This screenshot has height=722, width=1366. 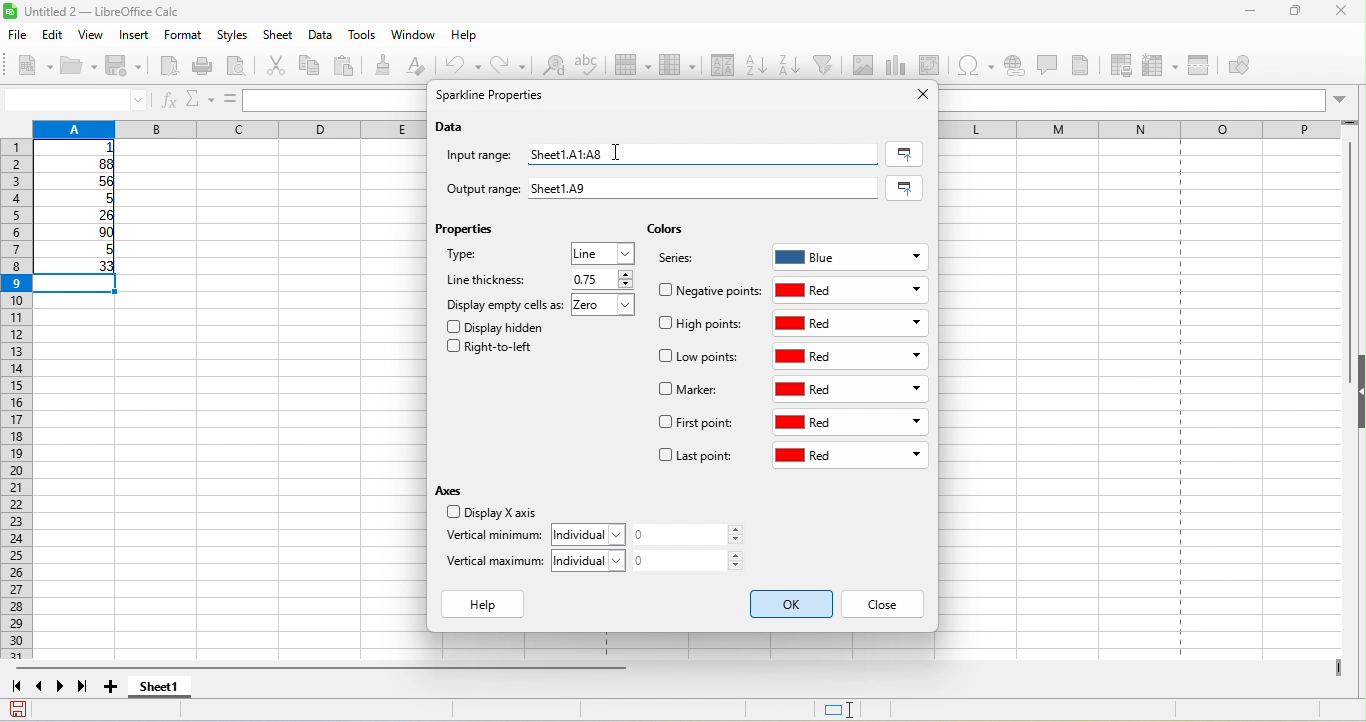 I want to click on select function, so click(x=201, y=99).